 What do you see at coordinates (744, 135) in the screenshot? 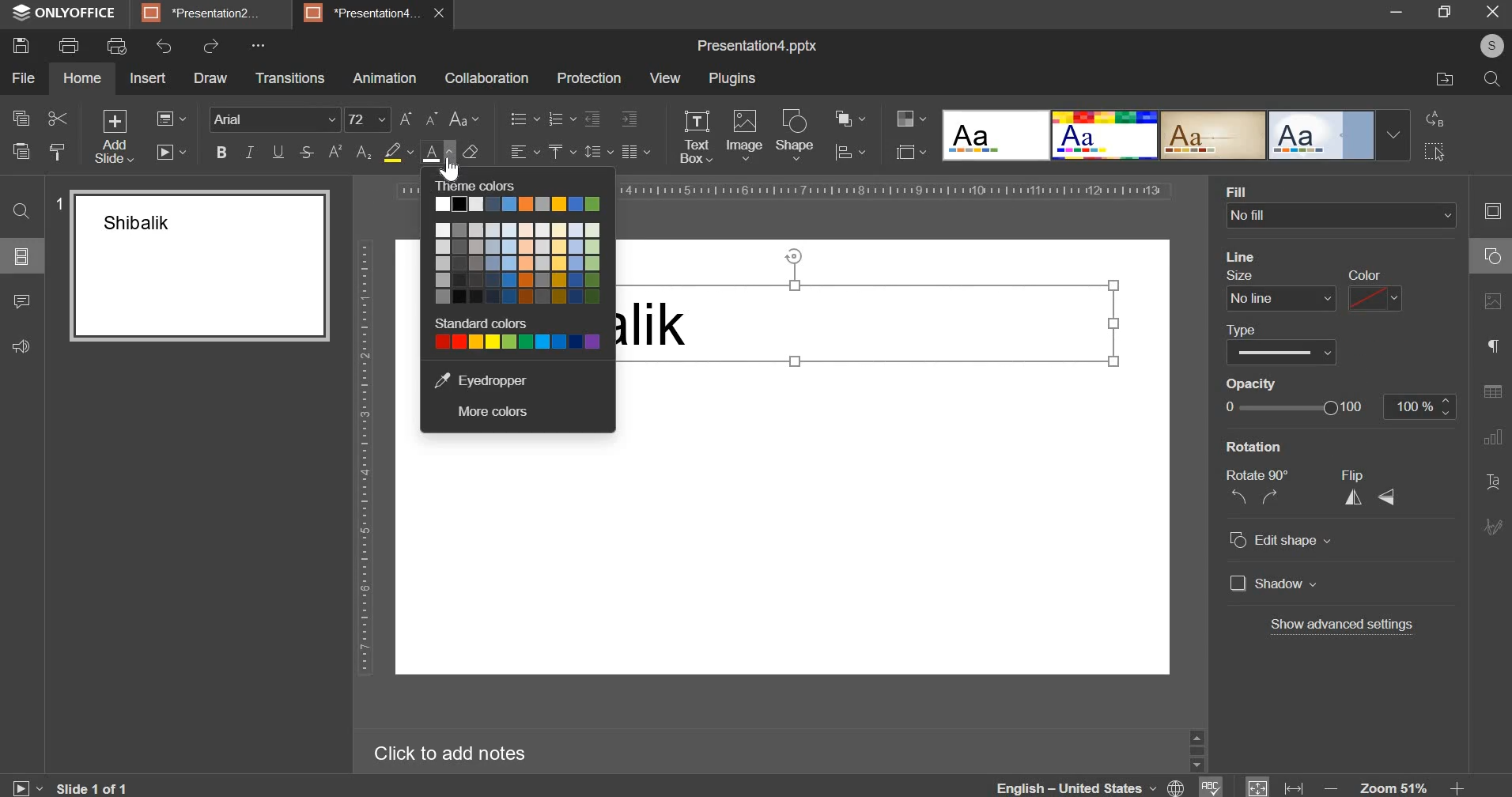
I see `image` at bounding box center [744, 135].